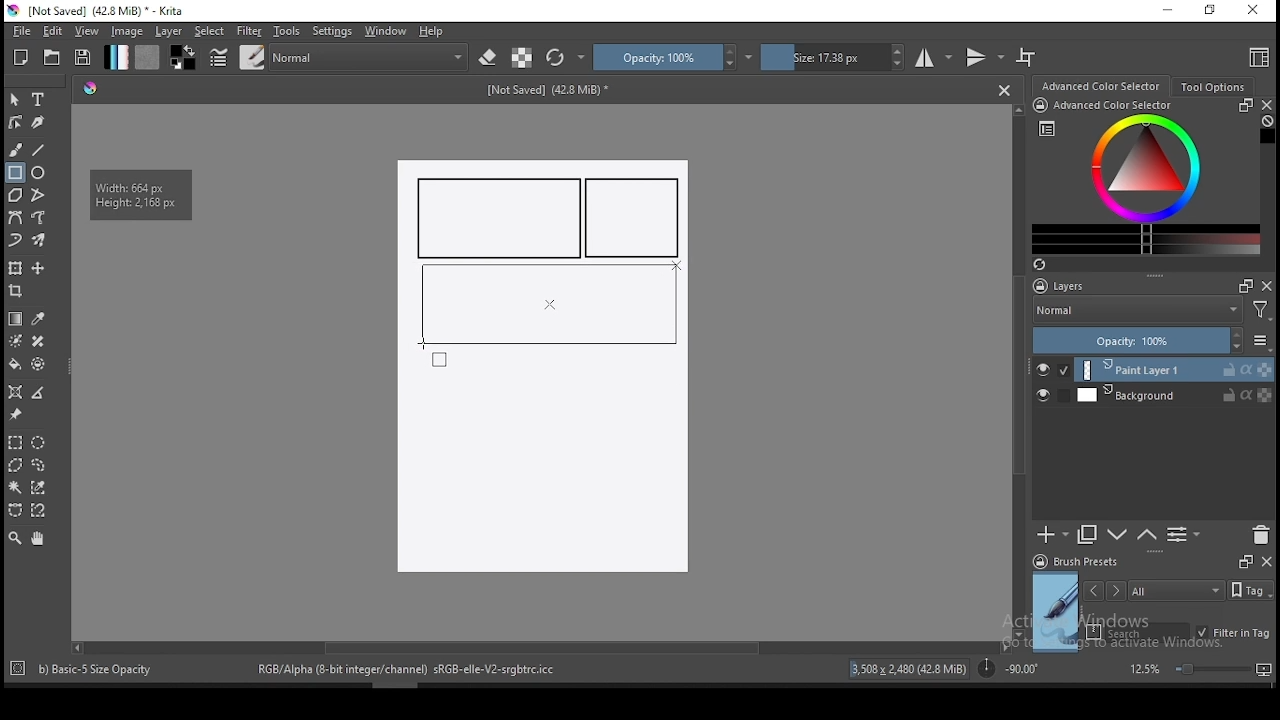  Describe the element at coordinates (1103, 85) in the screenshot. I see `advance color selector` at that location.